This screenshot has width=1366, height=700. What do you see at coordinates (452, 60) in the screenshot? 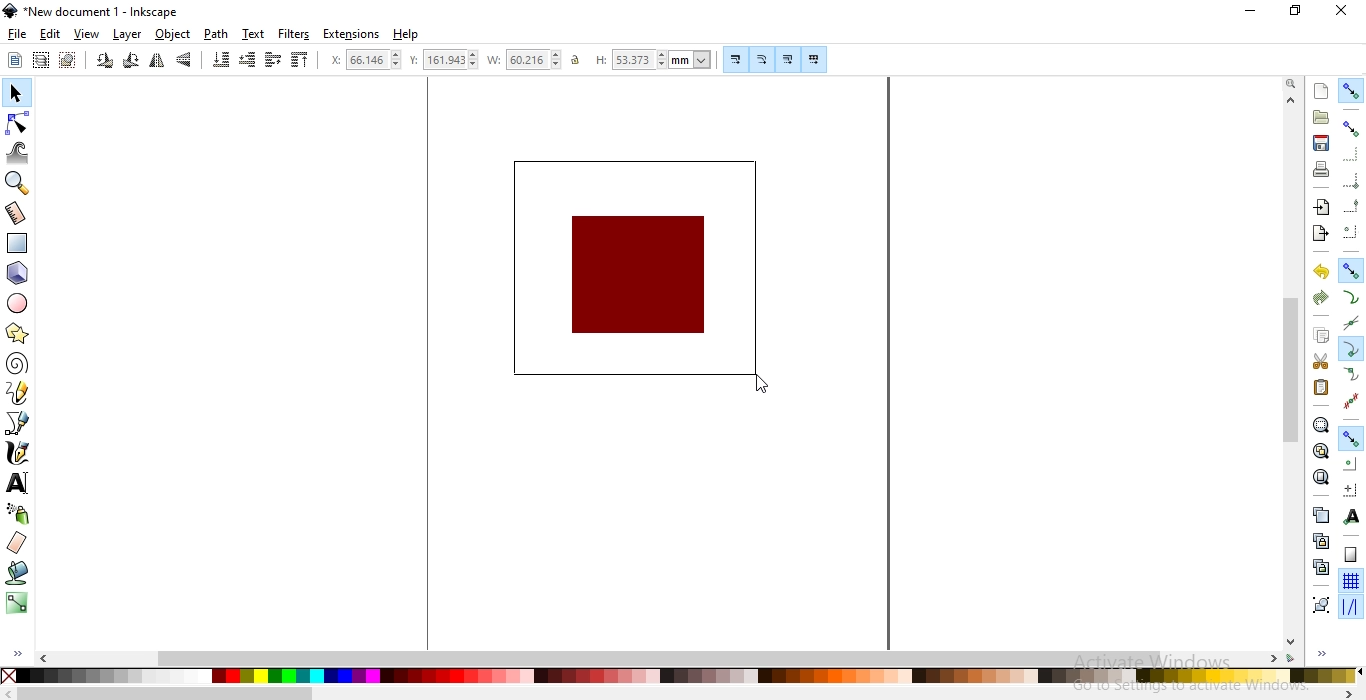
I see `161.943` at bounding box center [452, 60].